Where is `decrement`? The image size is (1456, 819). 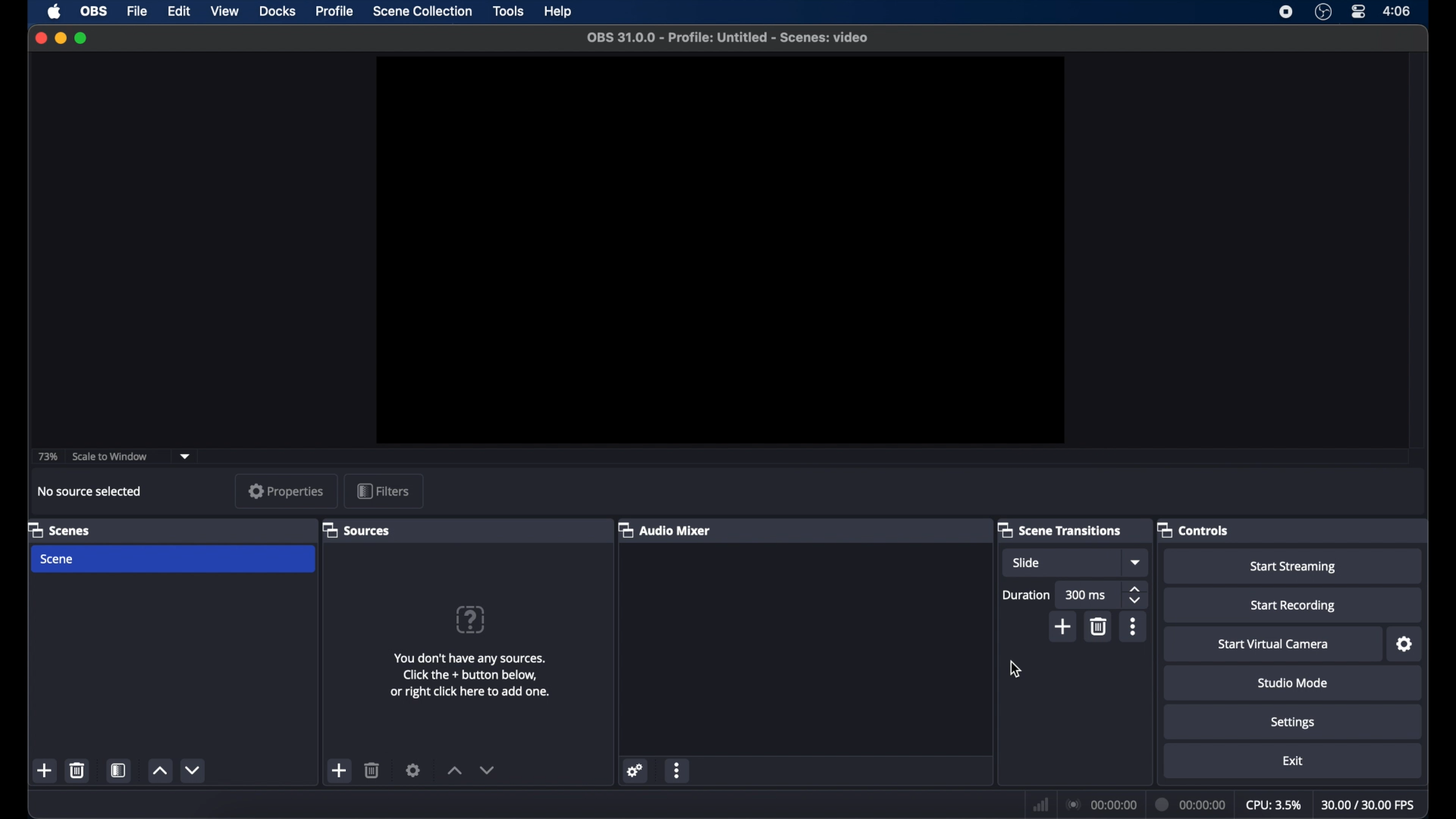
decrement is located at coordinates (194, 770).